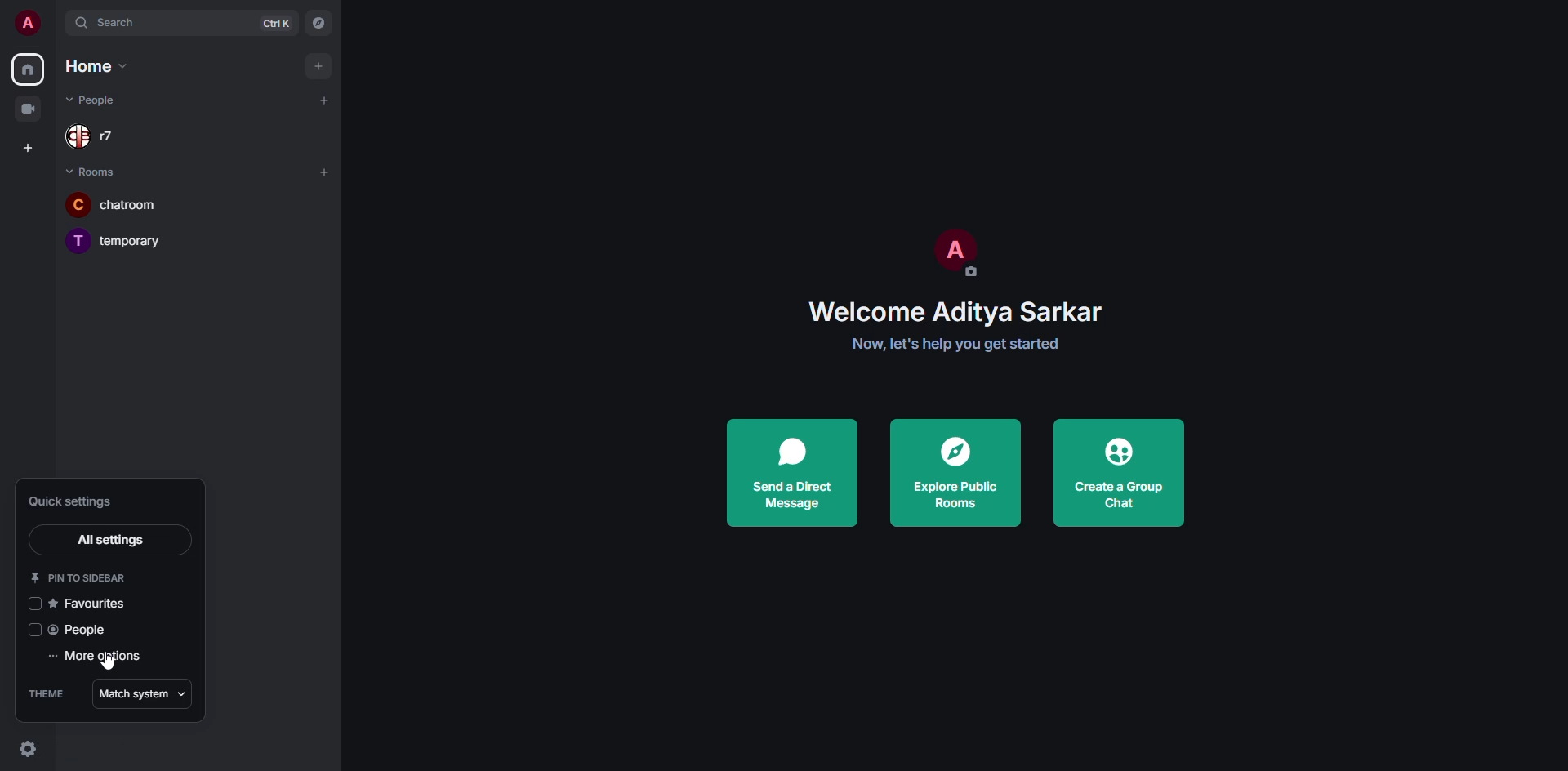  I want to click on pin to sidebar, so click(78, 578).